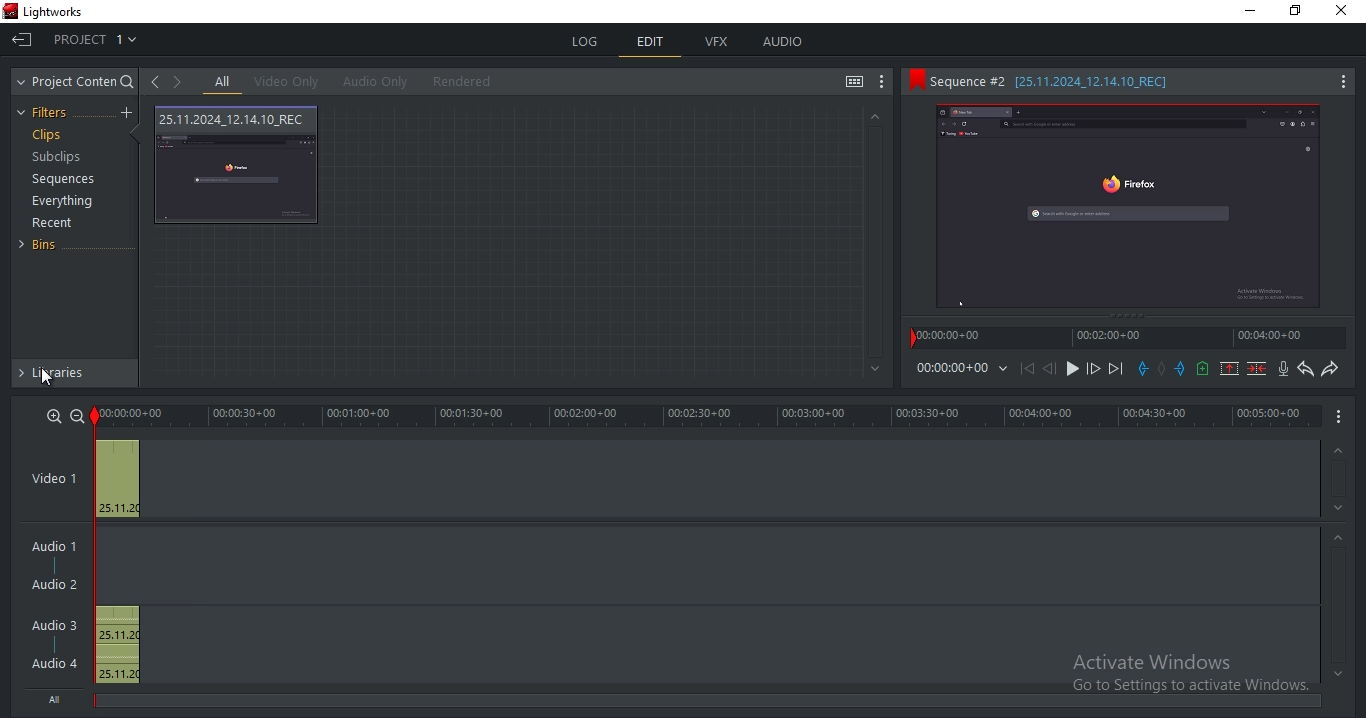 This screenshot has width=1366, height=718. Describe the element at coordinates (50, 136) in the screenshot. I see `clips` at that location.